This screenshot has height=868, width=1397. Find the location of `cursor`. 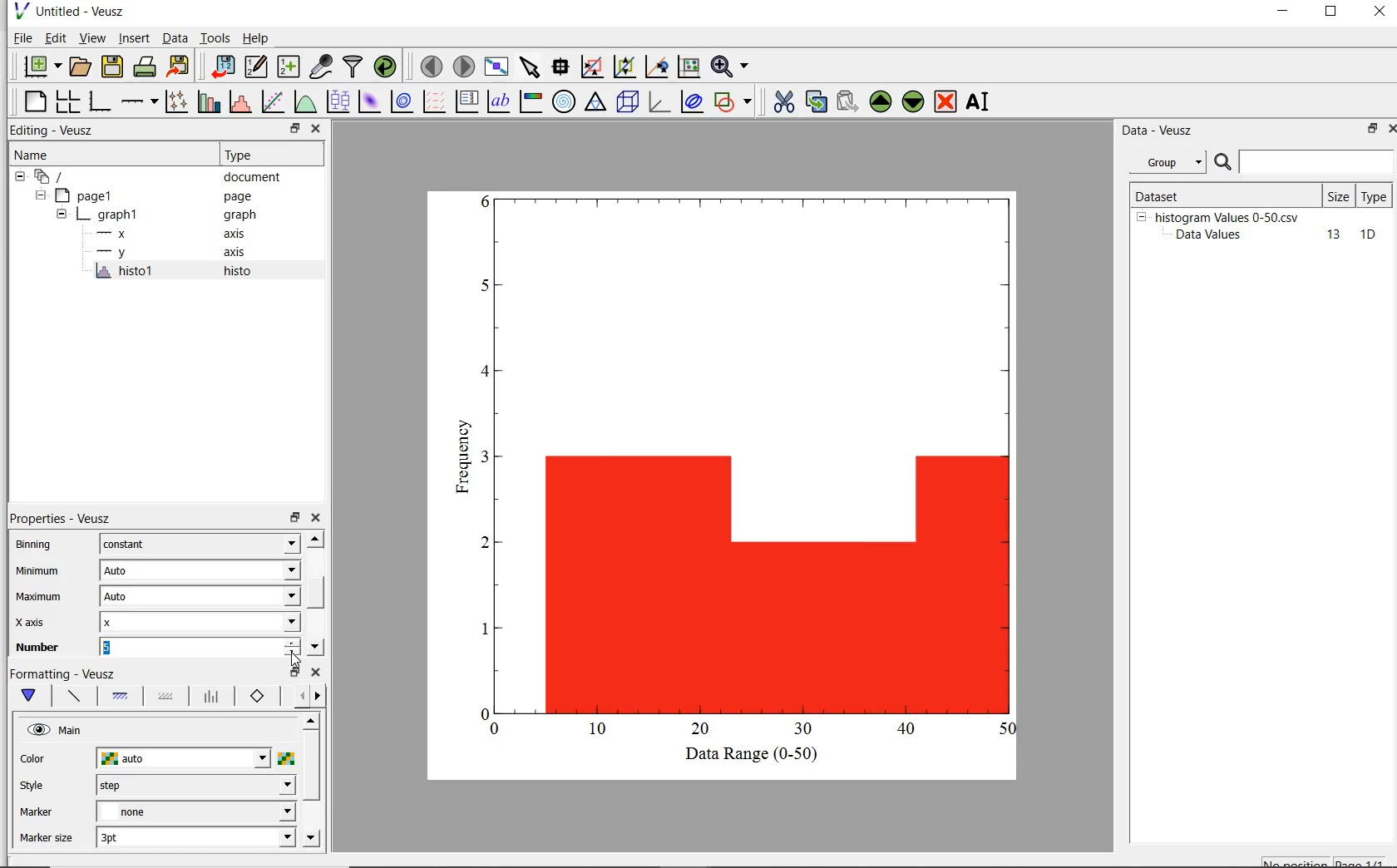

cursor is located at coordinates (295, 659).